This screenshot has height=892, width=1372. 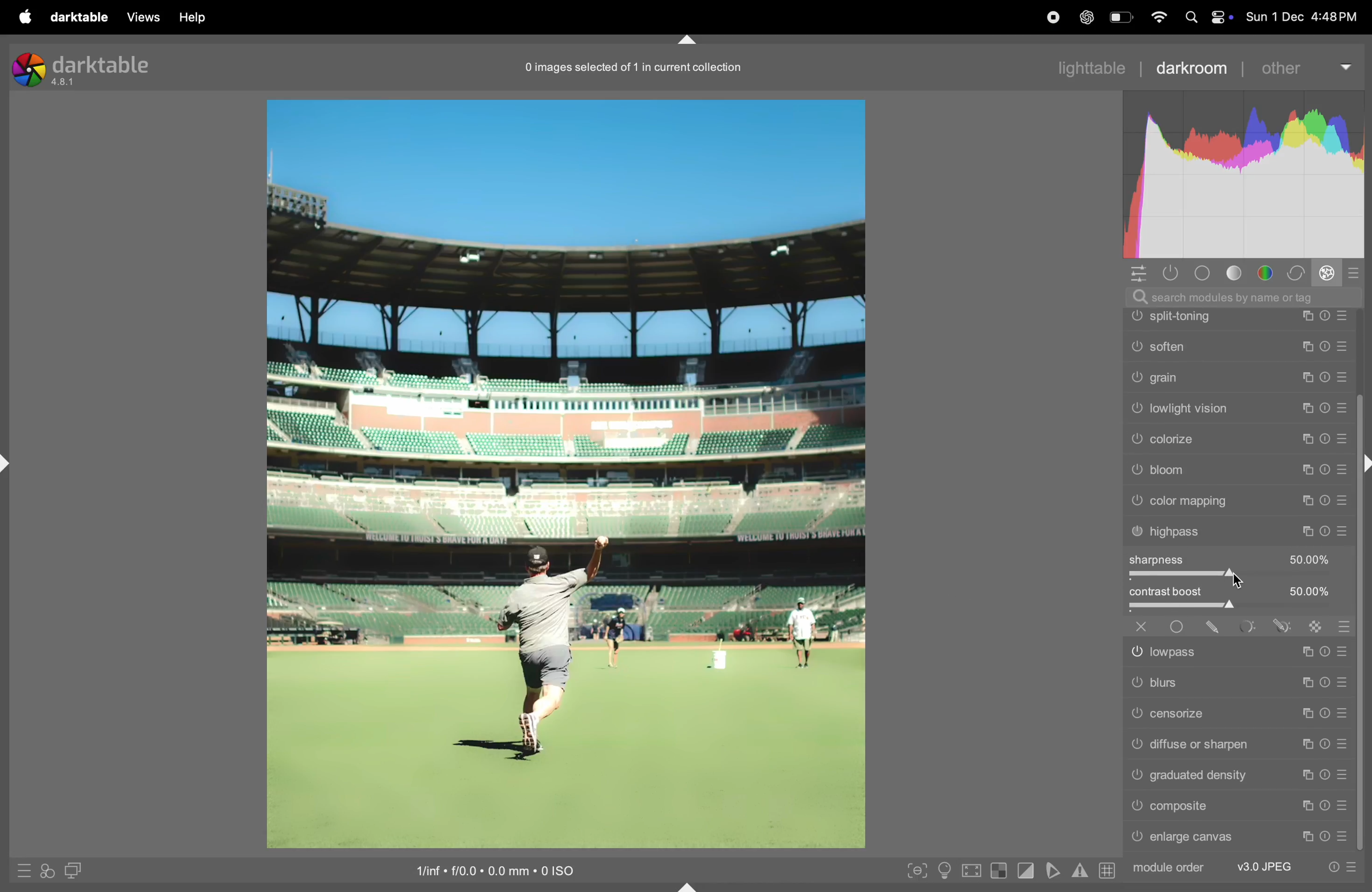 What do you see at coordinates (636, 66) in the screenshot?
I see `0 record` at bounding box center [636, 66].